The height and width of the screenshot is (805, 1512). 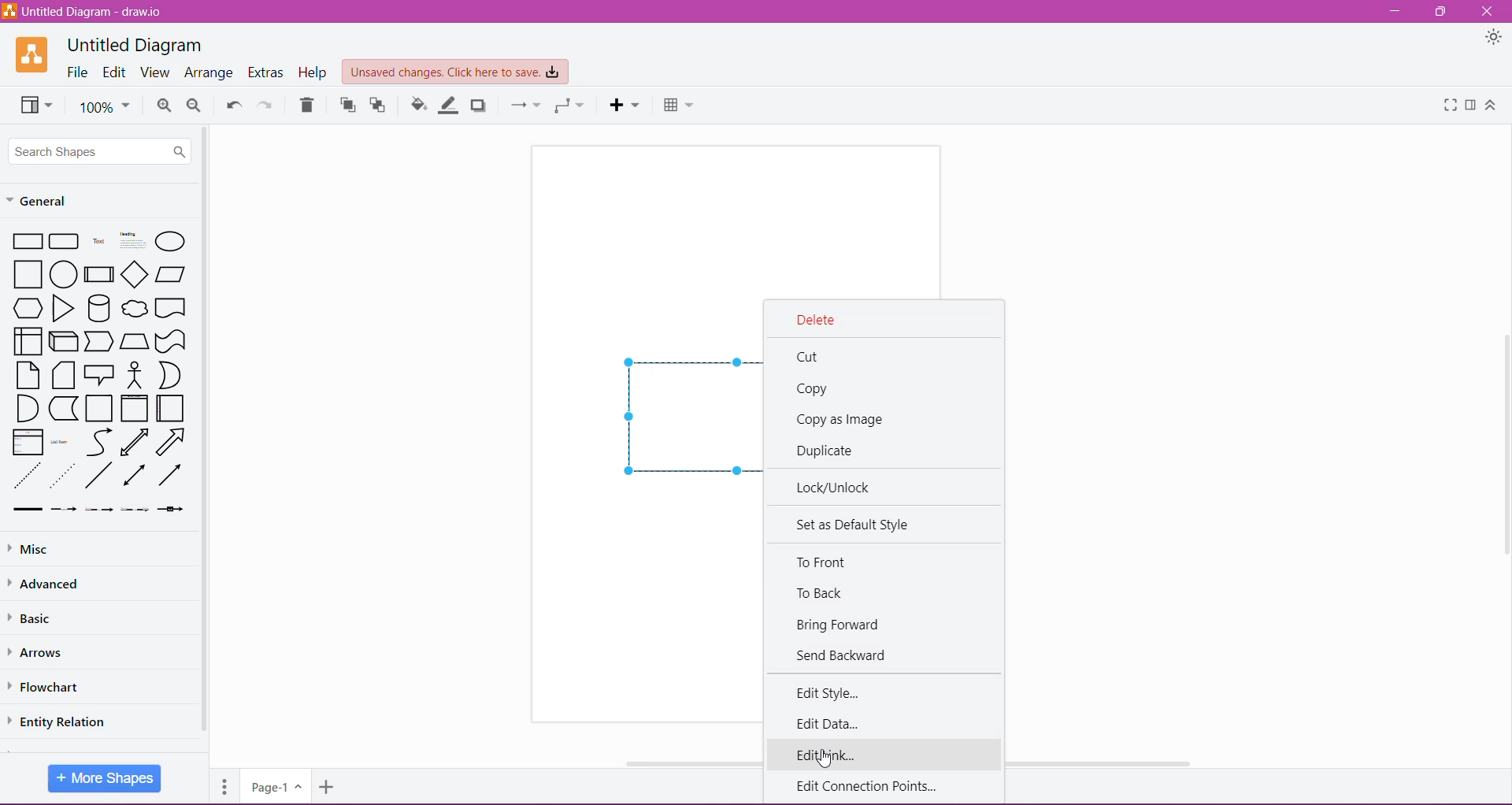 What do you see at coordinates (50, 687) in the screenshot?
I see `Flowchart` at bounding box center [50, 687].